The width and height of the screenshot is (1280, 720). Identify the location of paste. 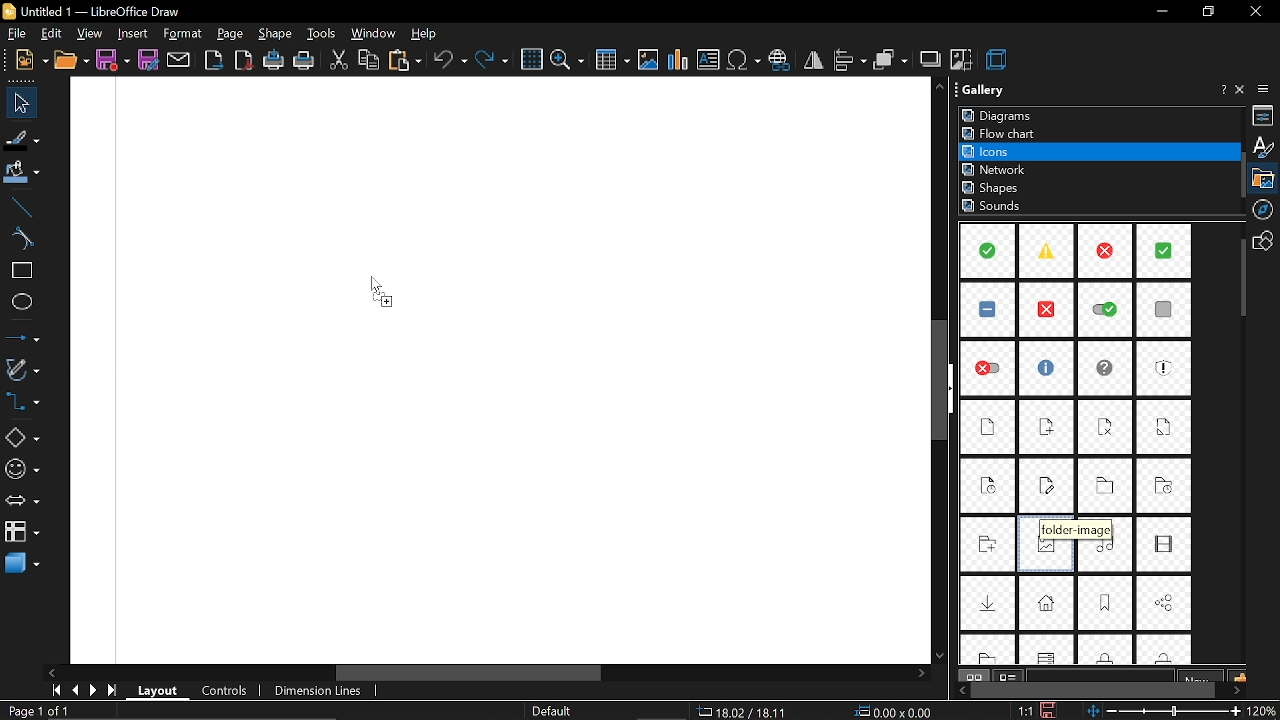
(404, 60).